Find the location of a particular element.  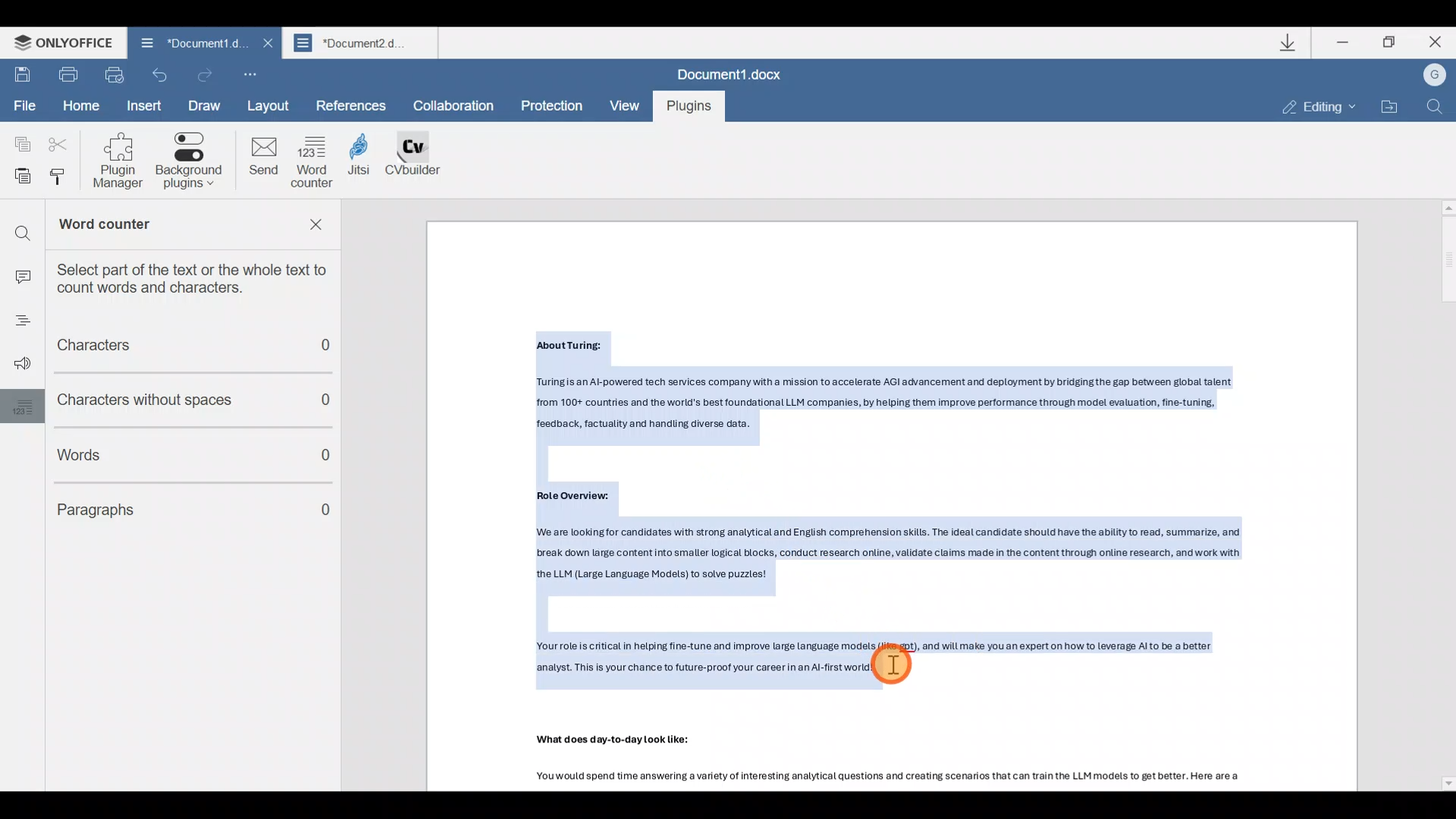

Close is located at coordinates (1432, 43).